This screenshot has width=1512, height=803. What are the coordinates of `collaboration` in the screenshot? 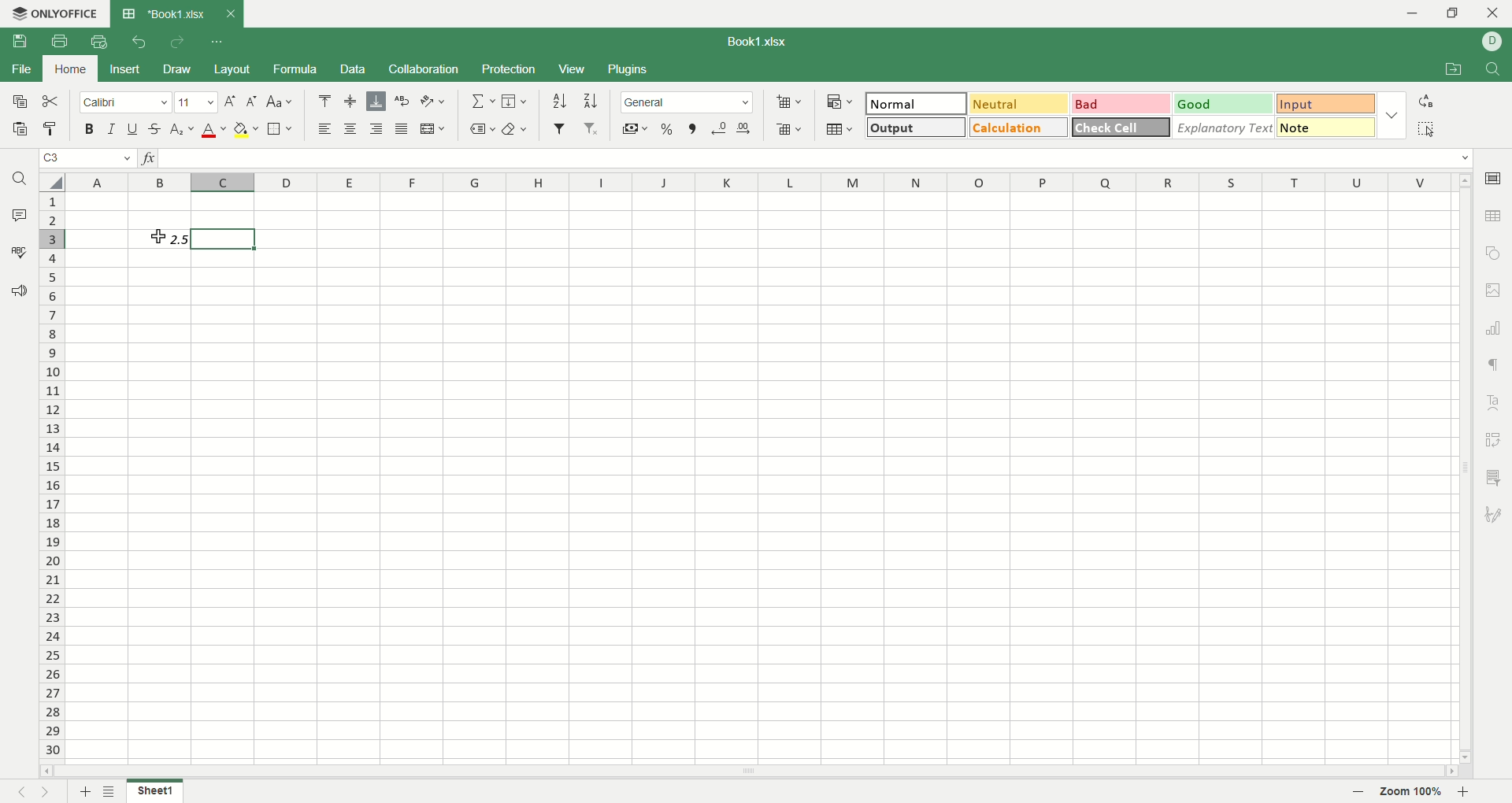 It's located at (425, 68).